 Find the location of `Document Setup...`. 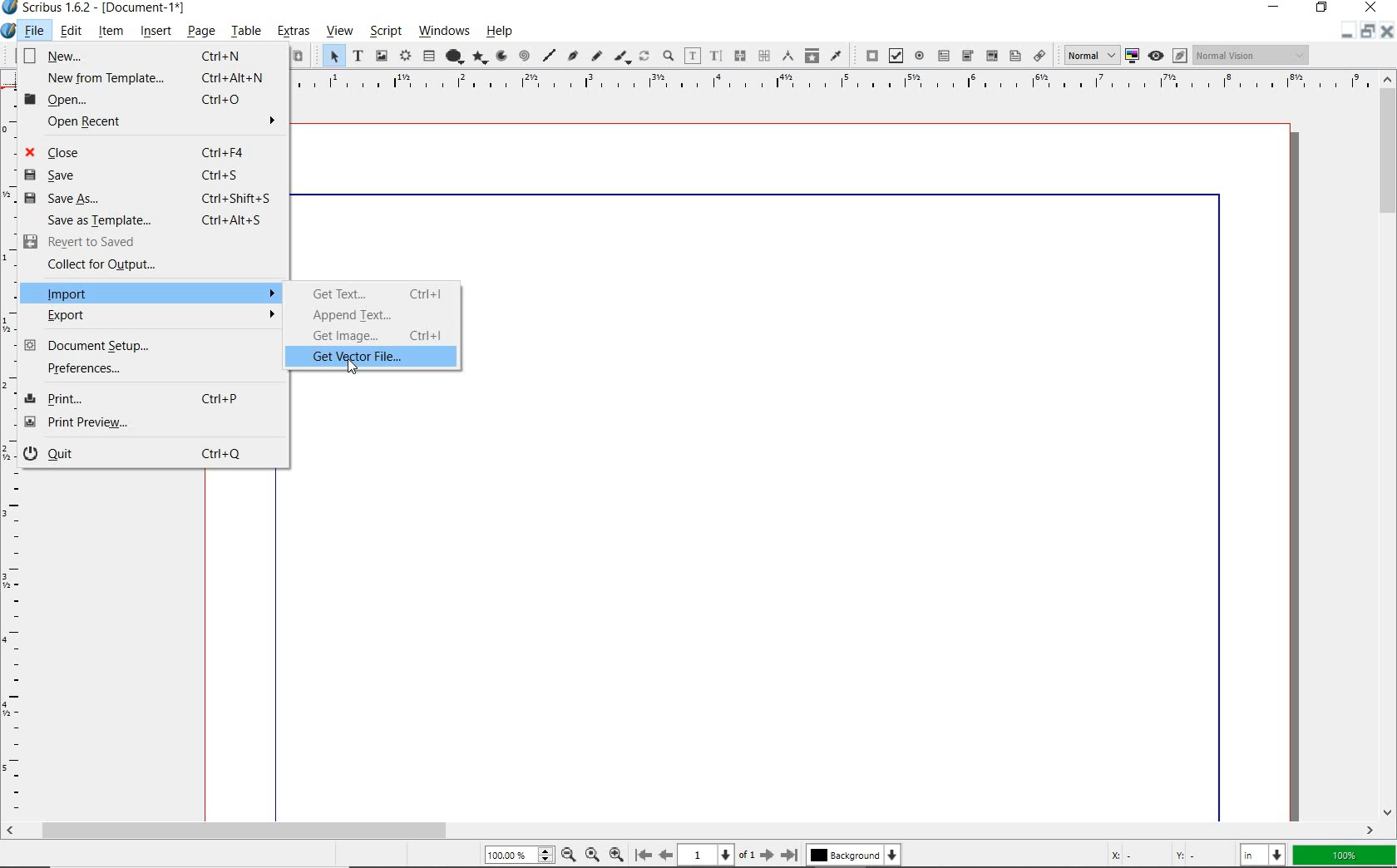

Document Setup... is located at coordinates (152, 348).